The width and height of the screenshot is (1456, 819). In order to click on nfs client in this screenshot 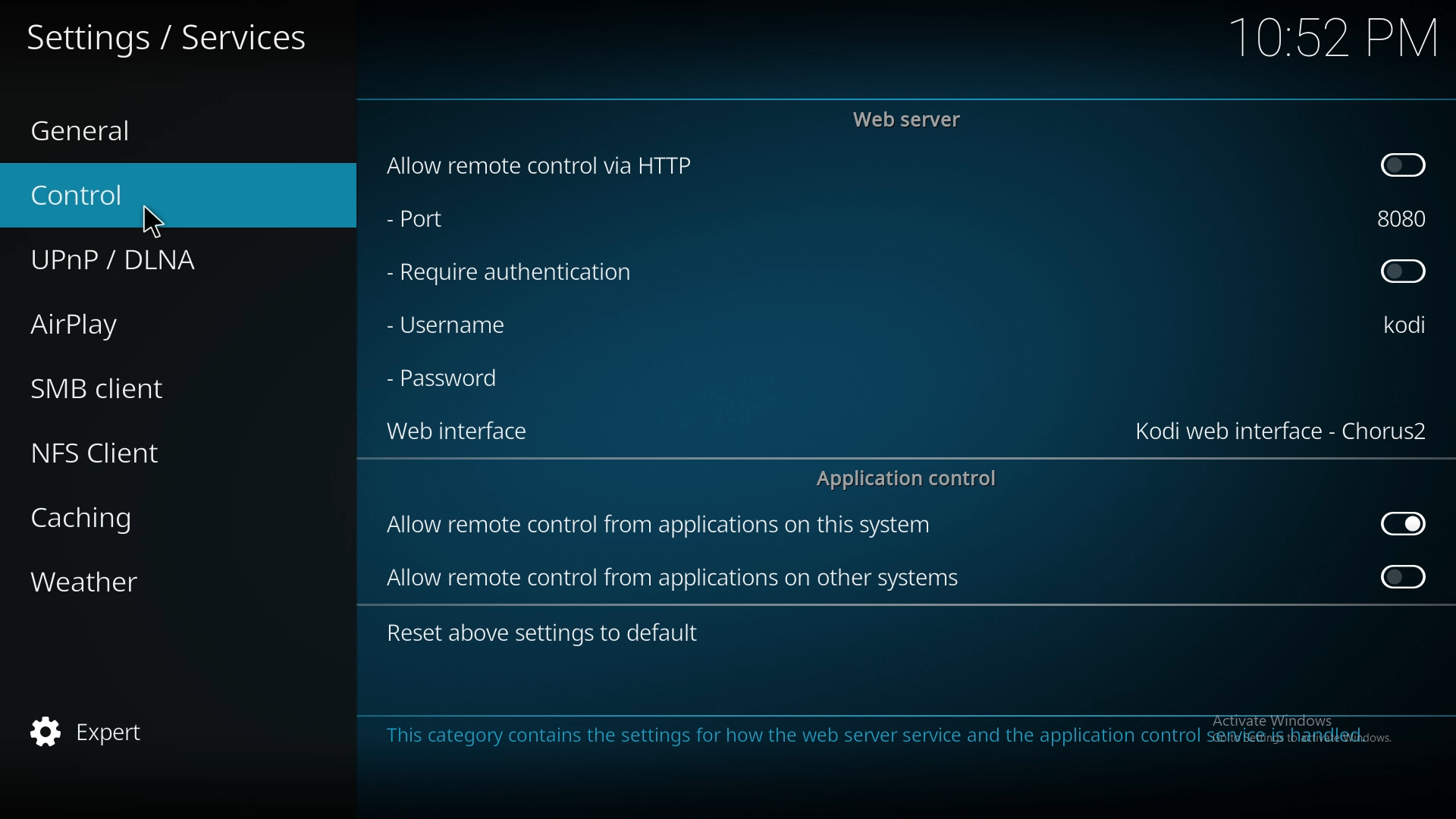, I will do `click(159, 451)`.